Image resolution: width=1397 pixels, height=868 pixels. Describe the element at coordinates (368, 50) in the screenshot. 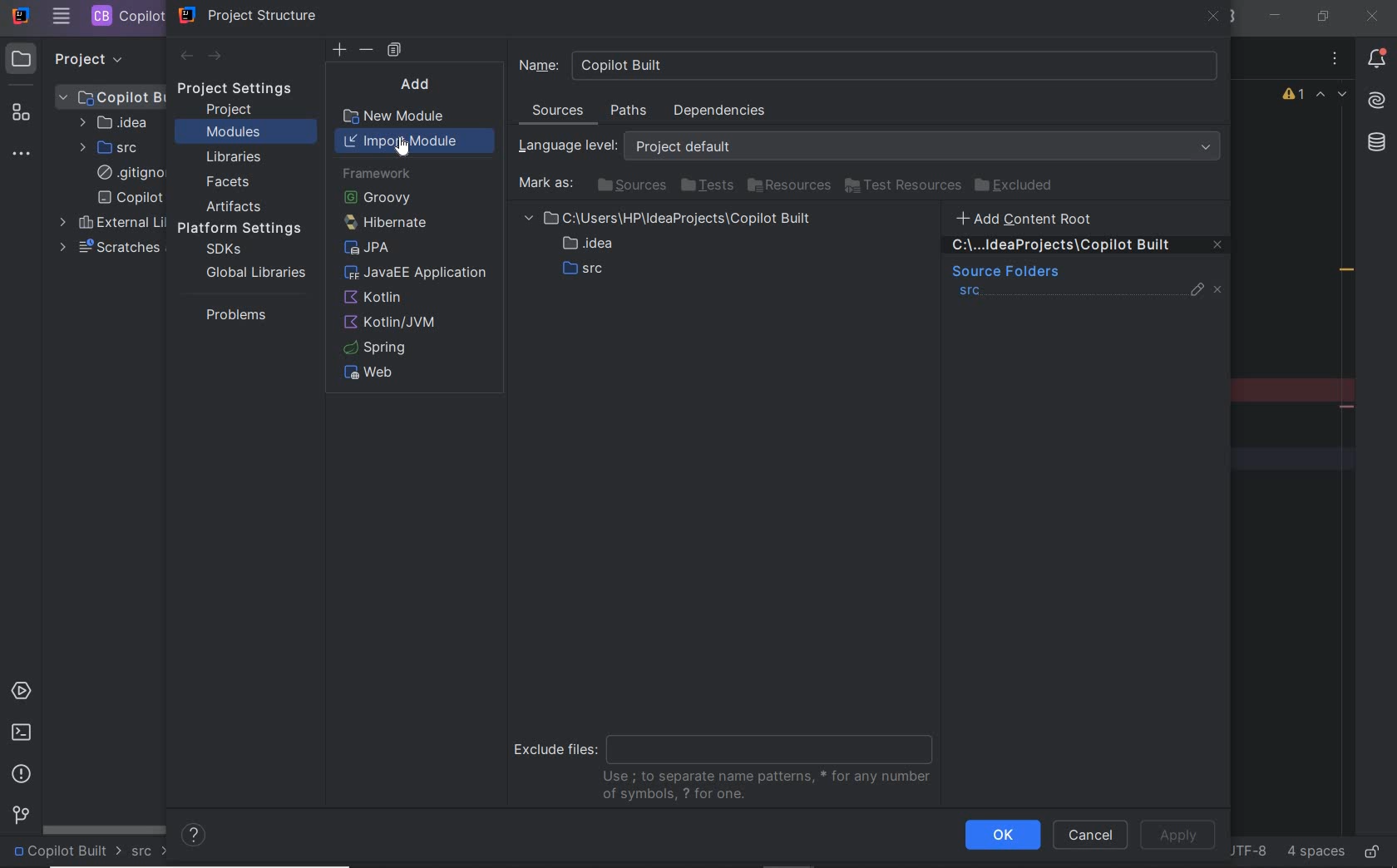

I see `delete` at that location.